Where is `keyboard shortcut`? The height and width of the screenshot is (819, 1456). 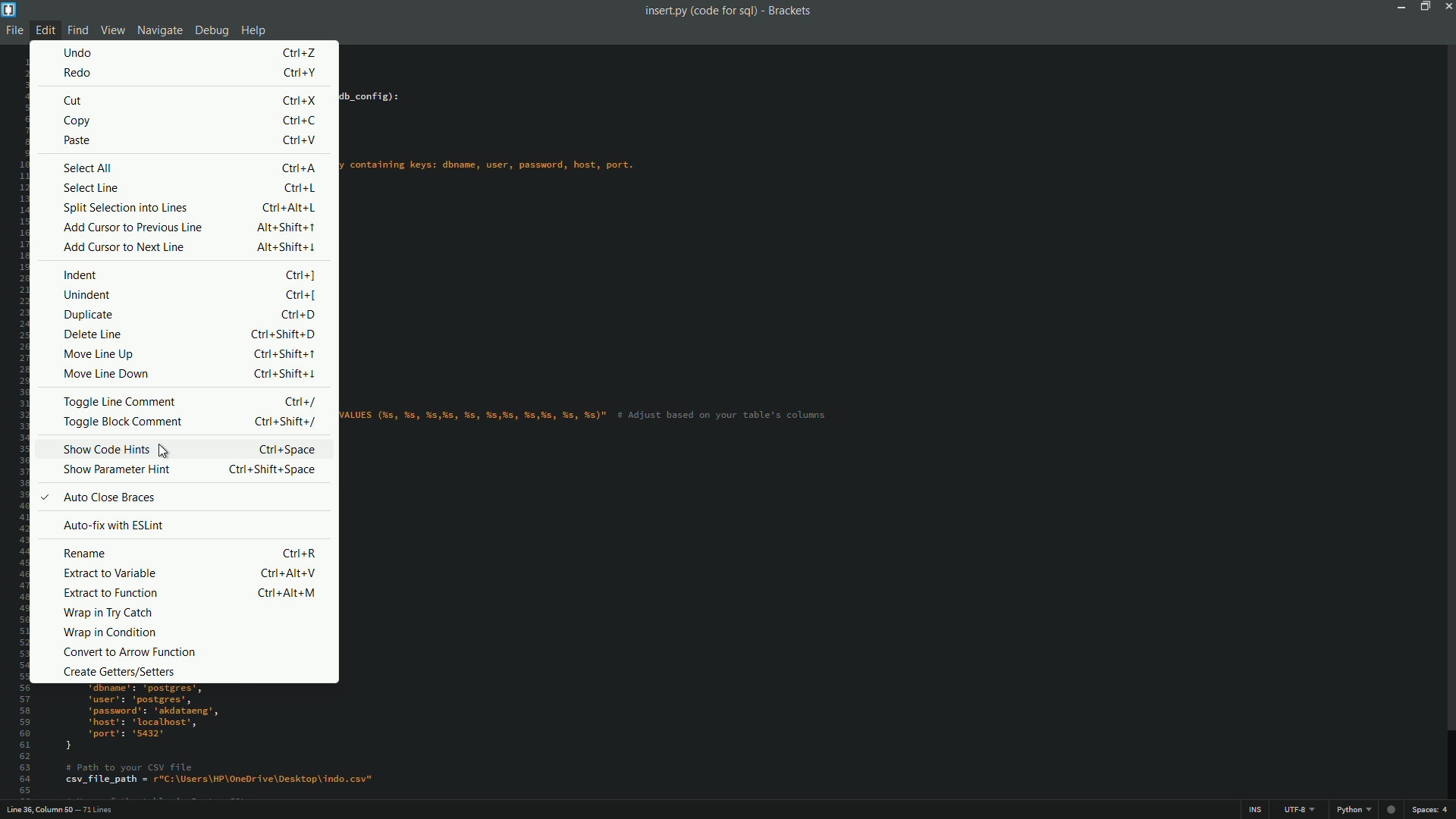 keyboard shortcut is located at coordinates (284, 227).